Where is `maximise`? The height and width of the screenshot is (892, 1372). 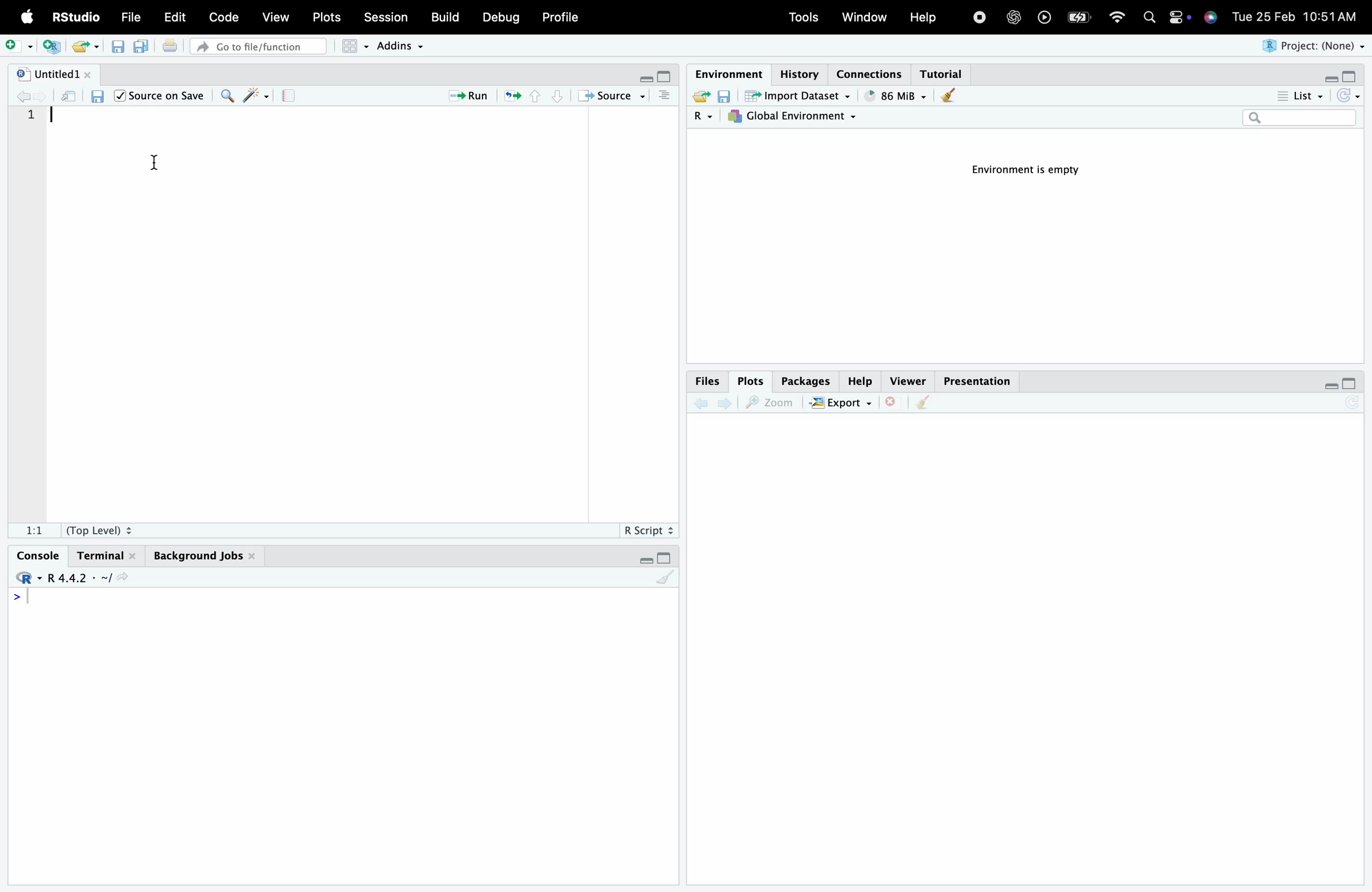
maximise is located at coordinates (666, 75).